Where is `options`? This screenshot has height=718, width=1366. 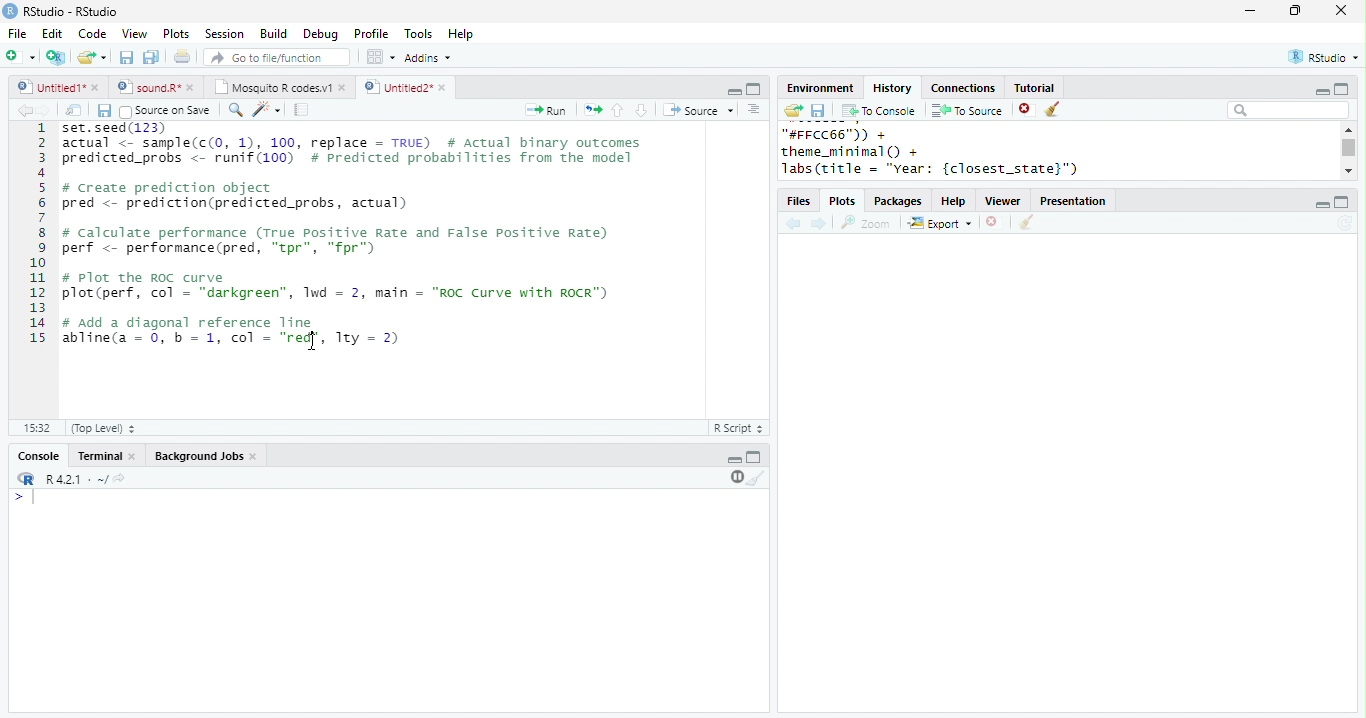
options is located at coordinates (379, 57).